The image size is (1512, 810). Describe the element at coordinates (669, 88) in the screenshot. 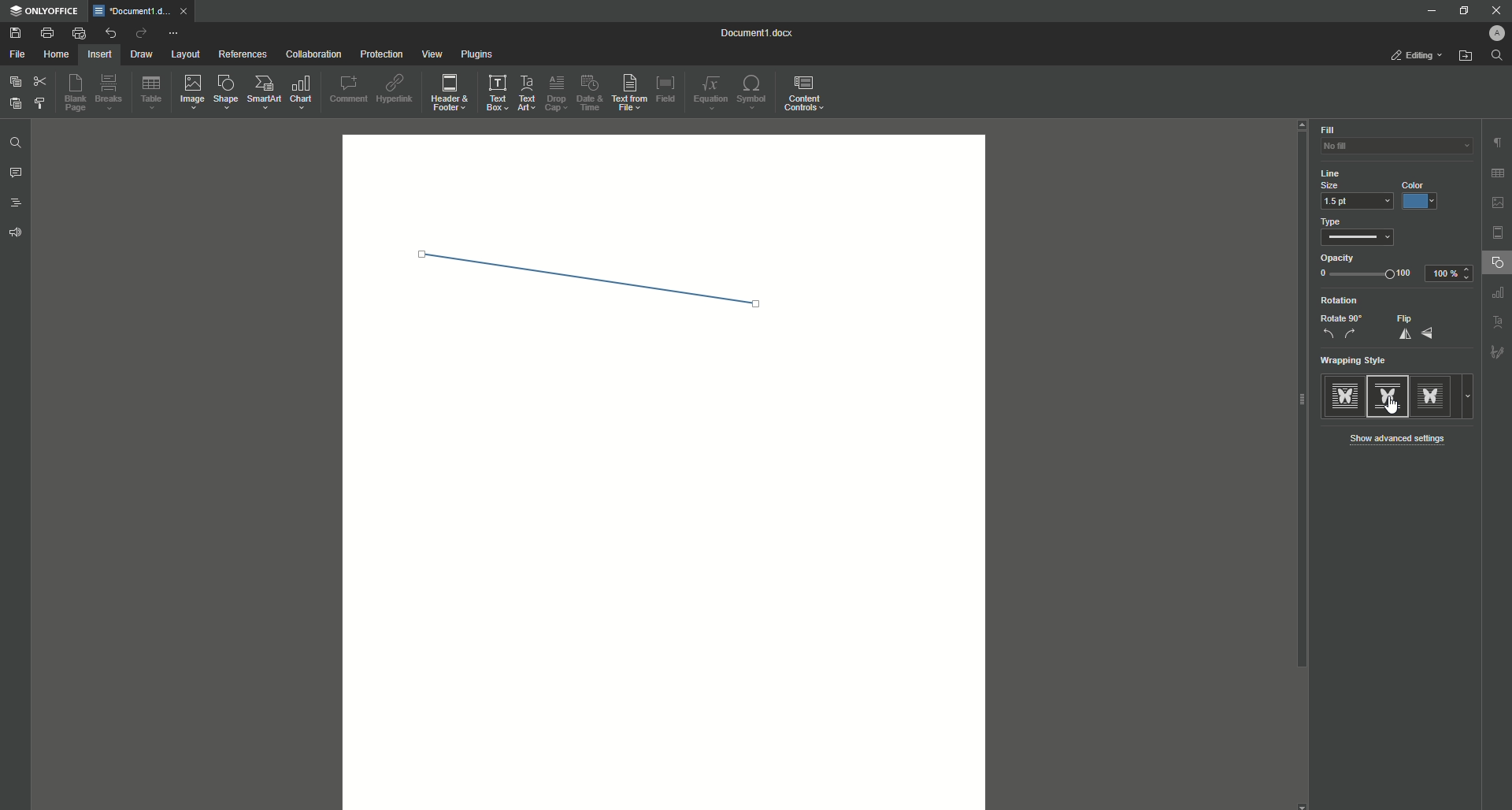

I see `Field` at that location.